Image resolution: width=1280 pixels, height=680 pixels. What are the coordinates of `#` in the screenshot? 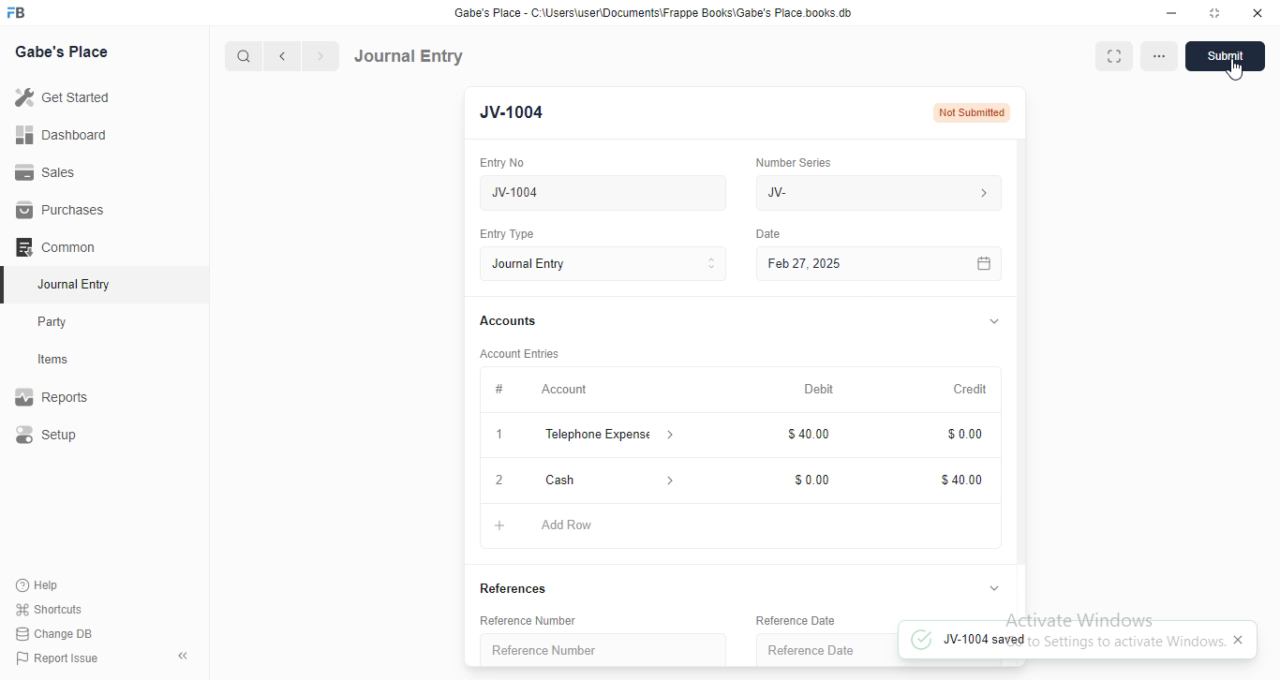 It's located at (499, 388).